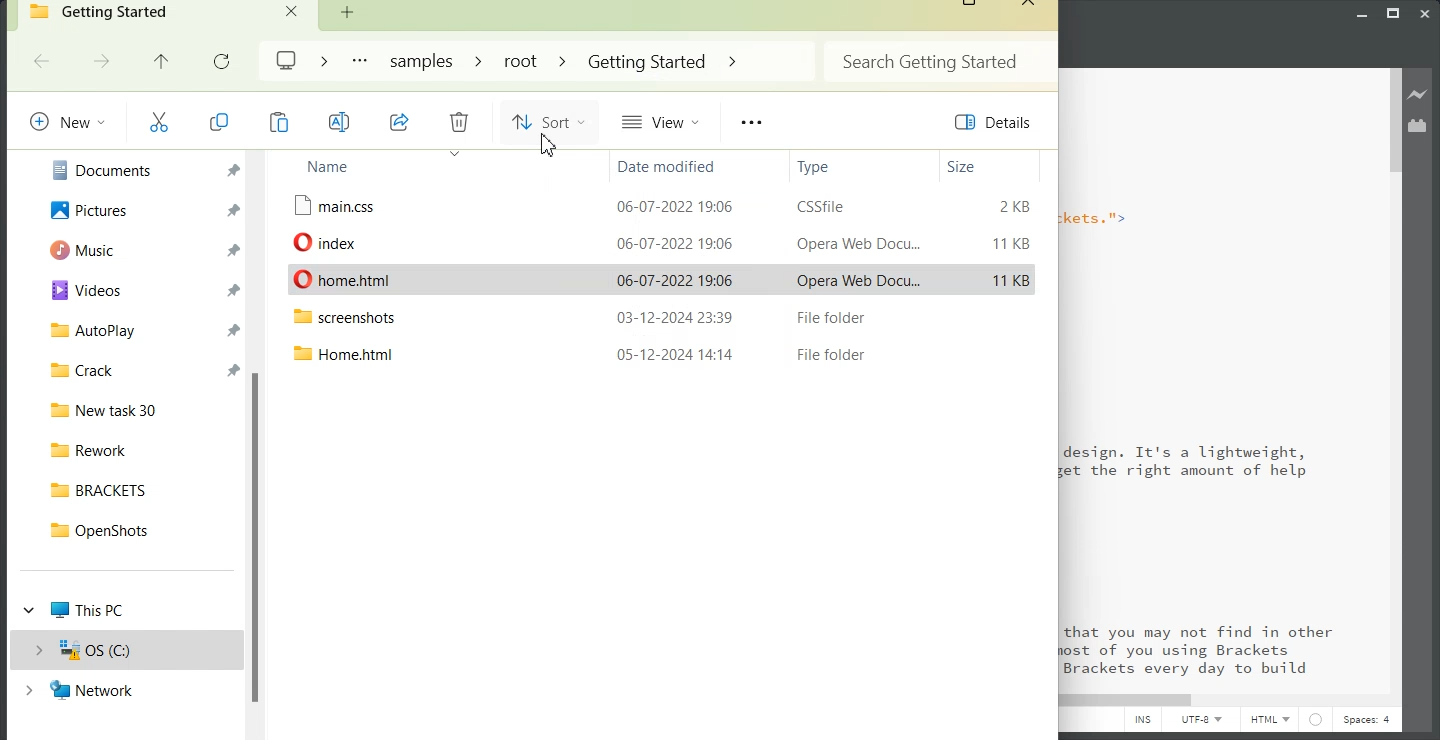 This screenshot has width=1440, height=740. Describe the element at coordinates (293, 10) in the screenshot. I see `Close` at that location.